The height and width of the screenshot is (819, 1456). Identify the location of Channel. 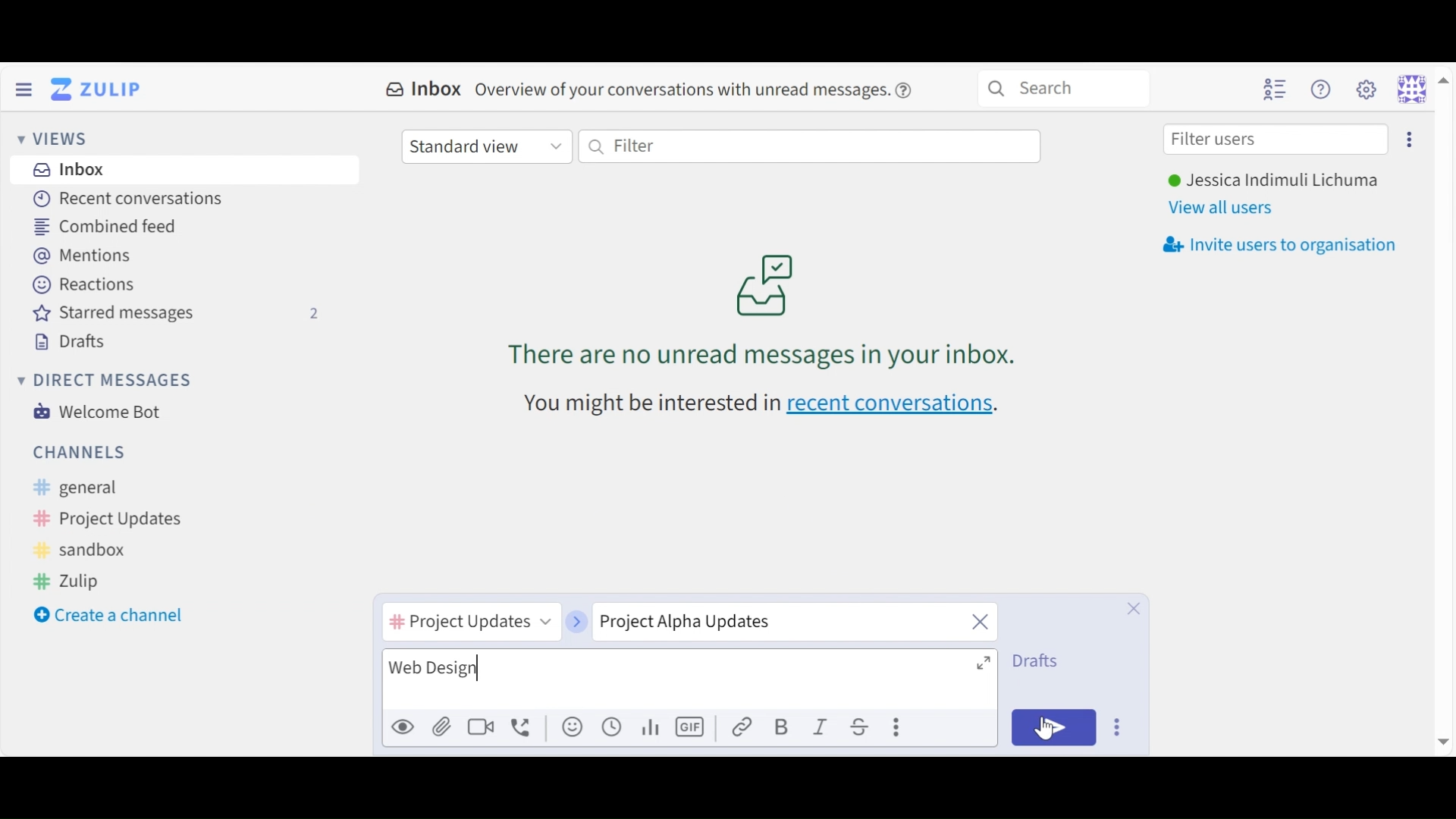
(155, 518).